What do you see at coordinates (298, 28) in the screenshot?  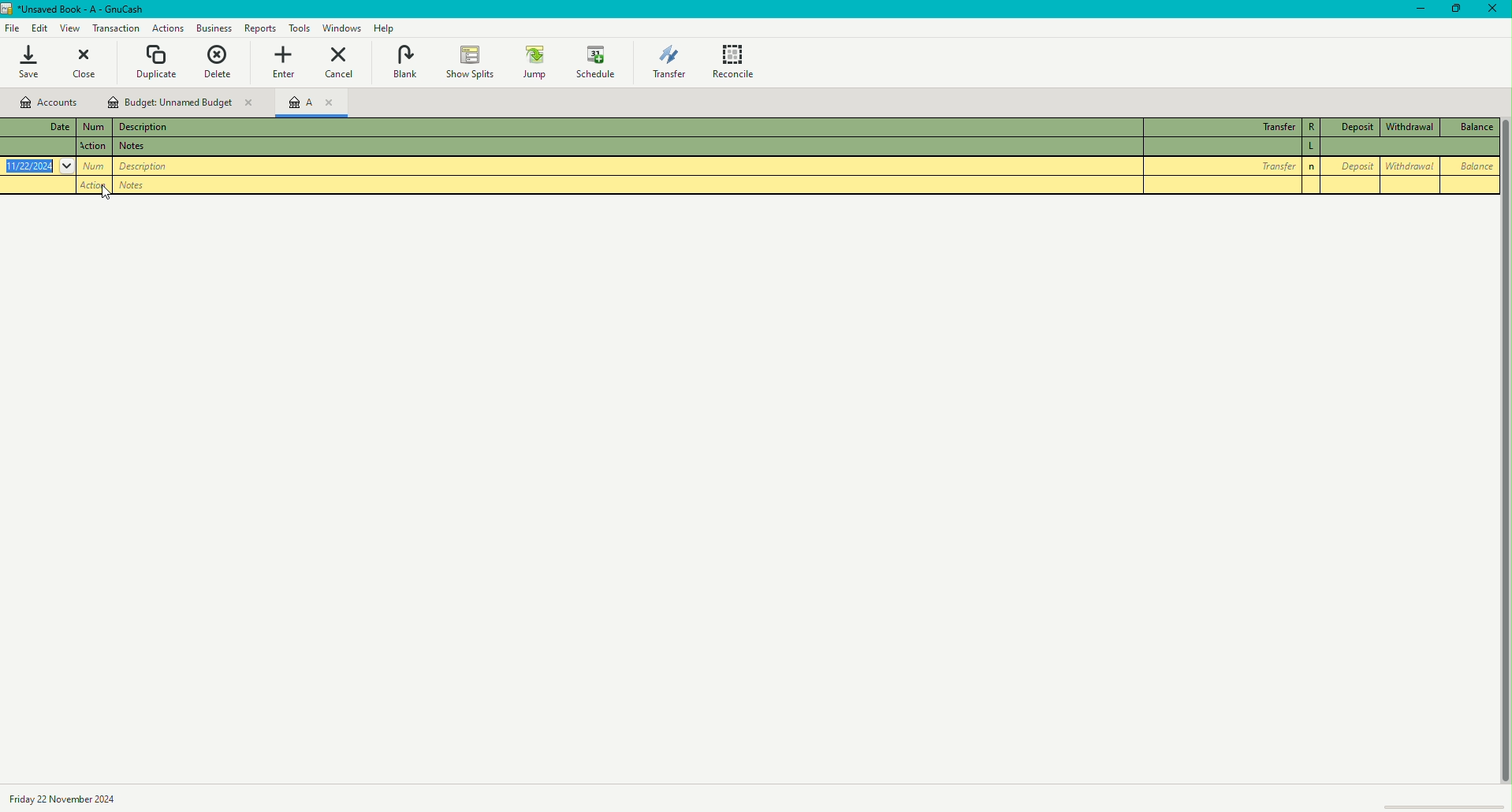 I see `Tools` at bounding box center [298, 28].